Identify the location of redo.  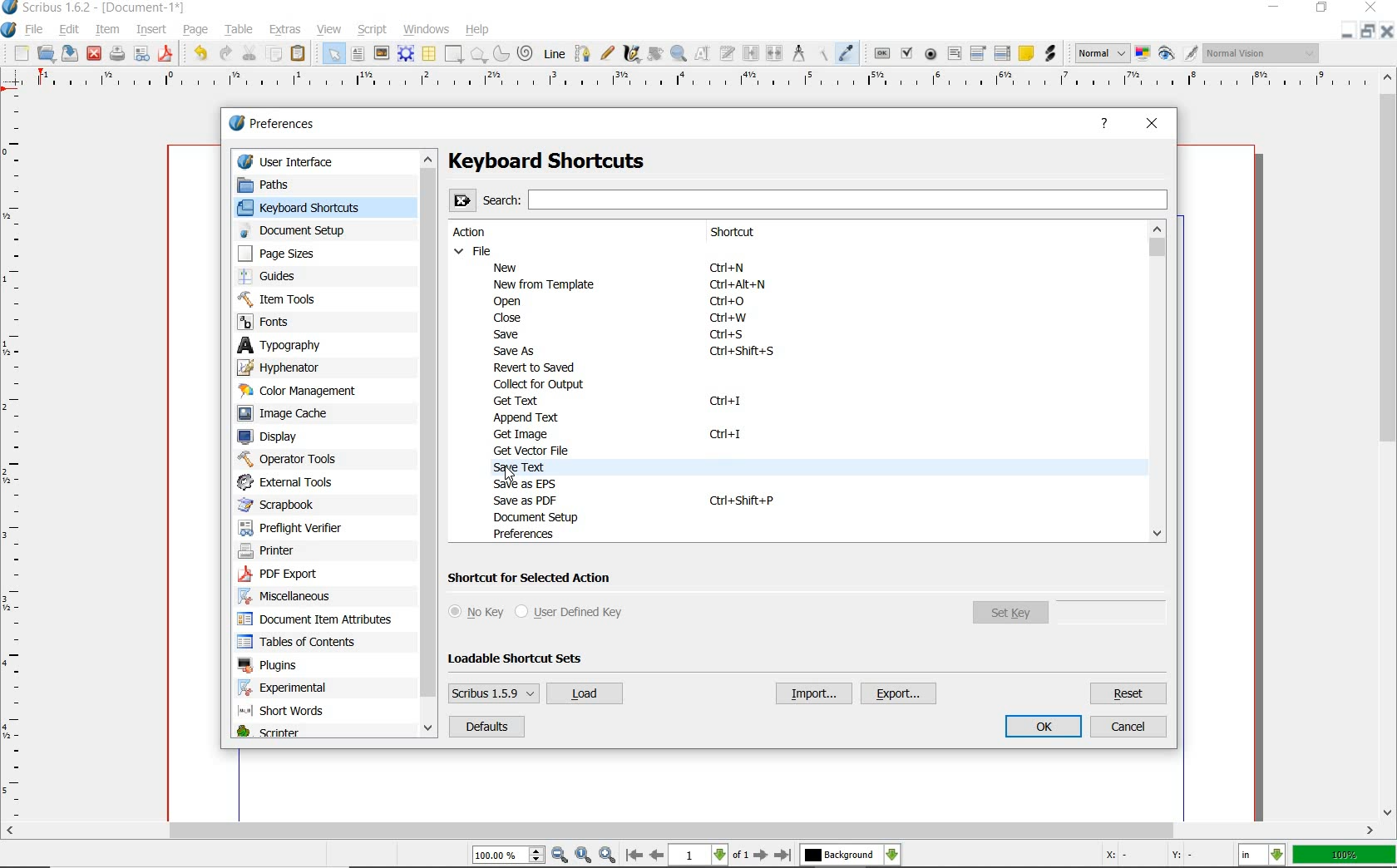
(225, 53).